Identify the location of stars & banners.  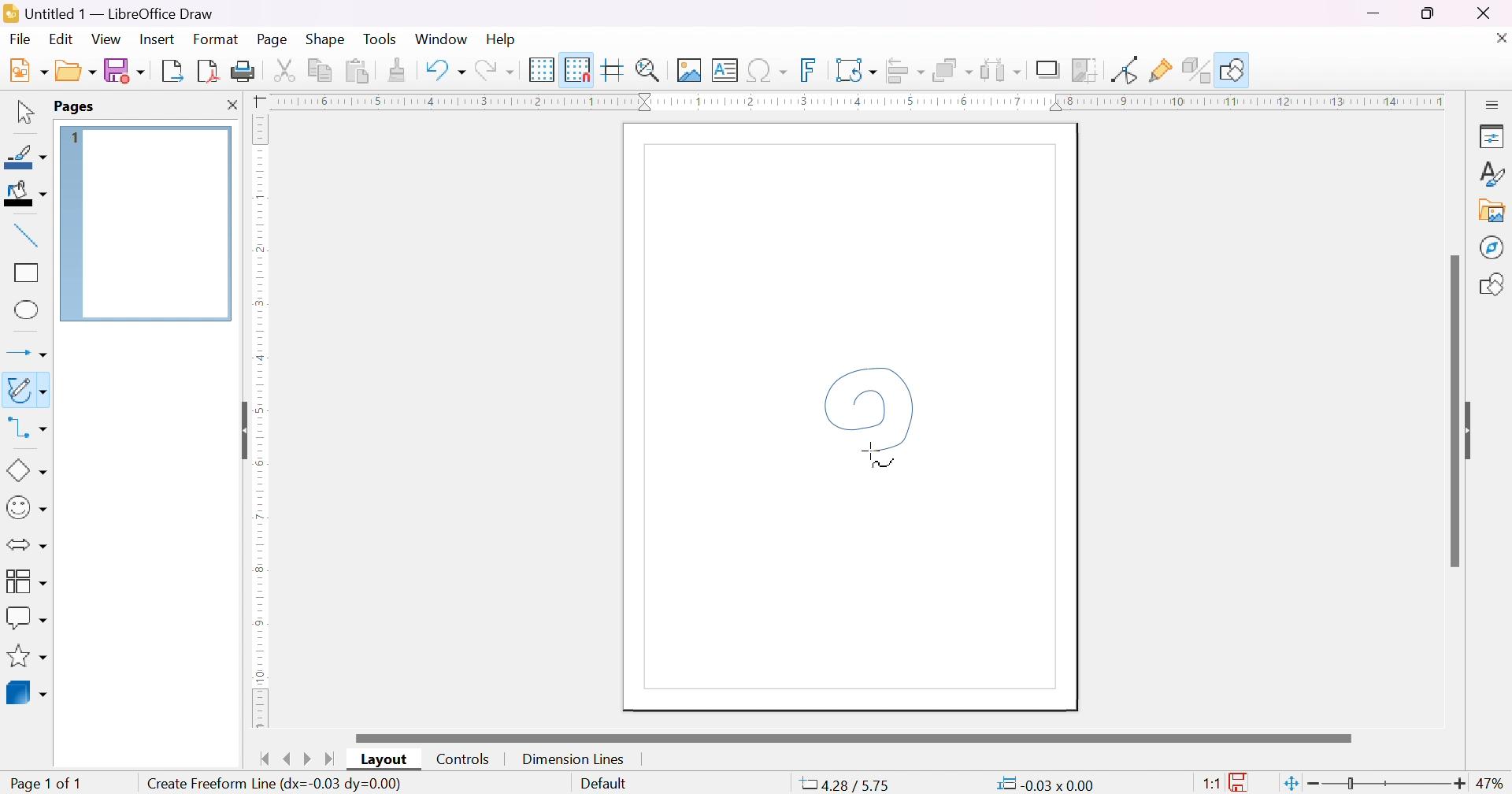
(24, 655).